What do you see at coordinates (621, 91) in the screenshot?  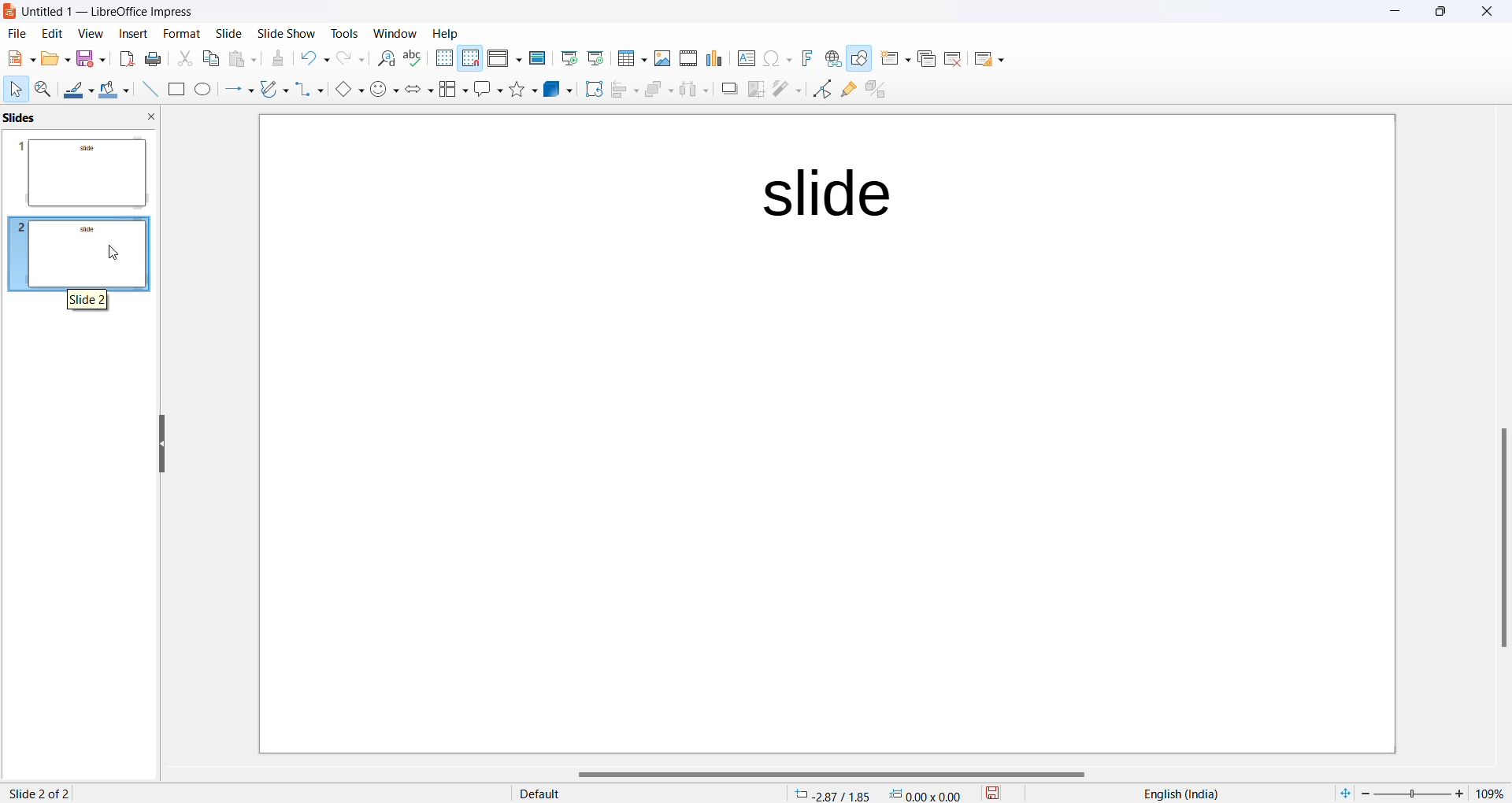 I see `Align` at bounding box center [621, 91].